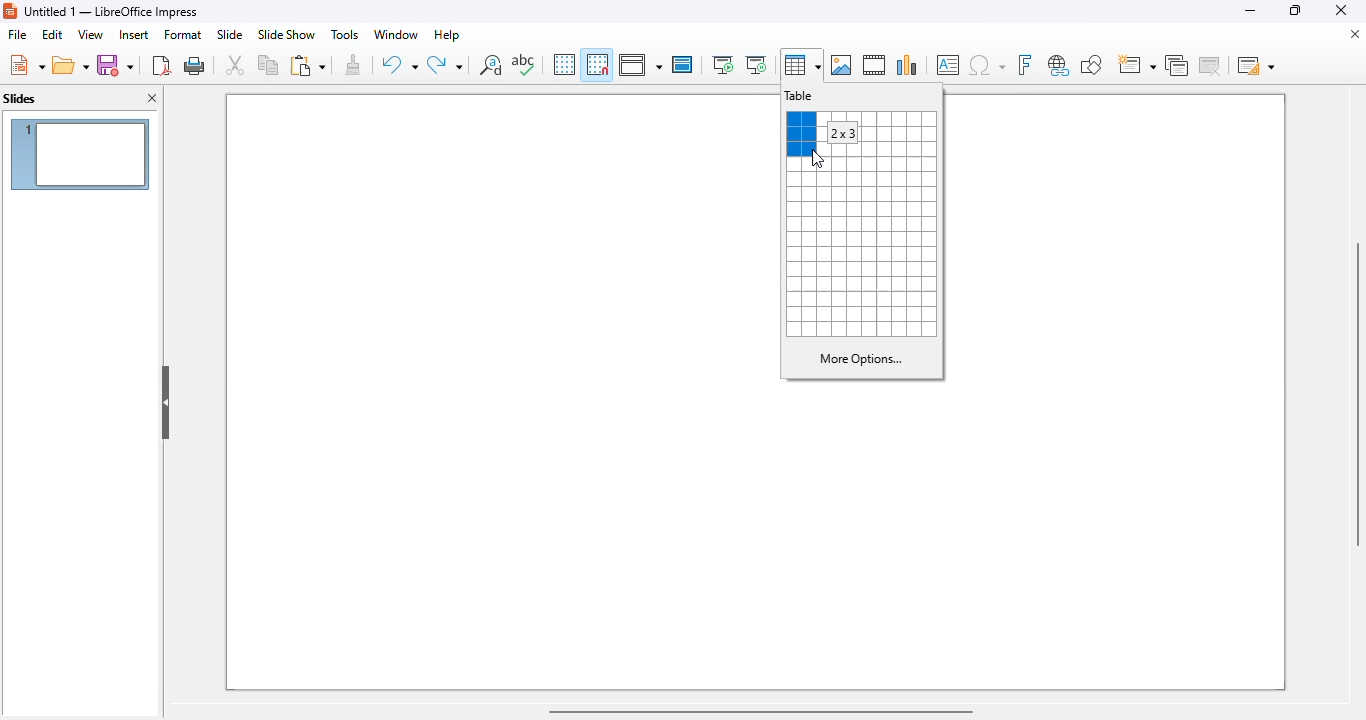 This screenshot has width=1366, height=720. Describe the element at coordinates (522, 65) in the screenshot. I see `spelling` at that location.